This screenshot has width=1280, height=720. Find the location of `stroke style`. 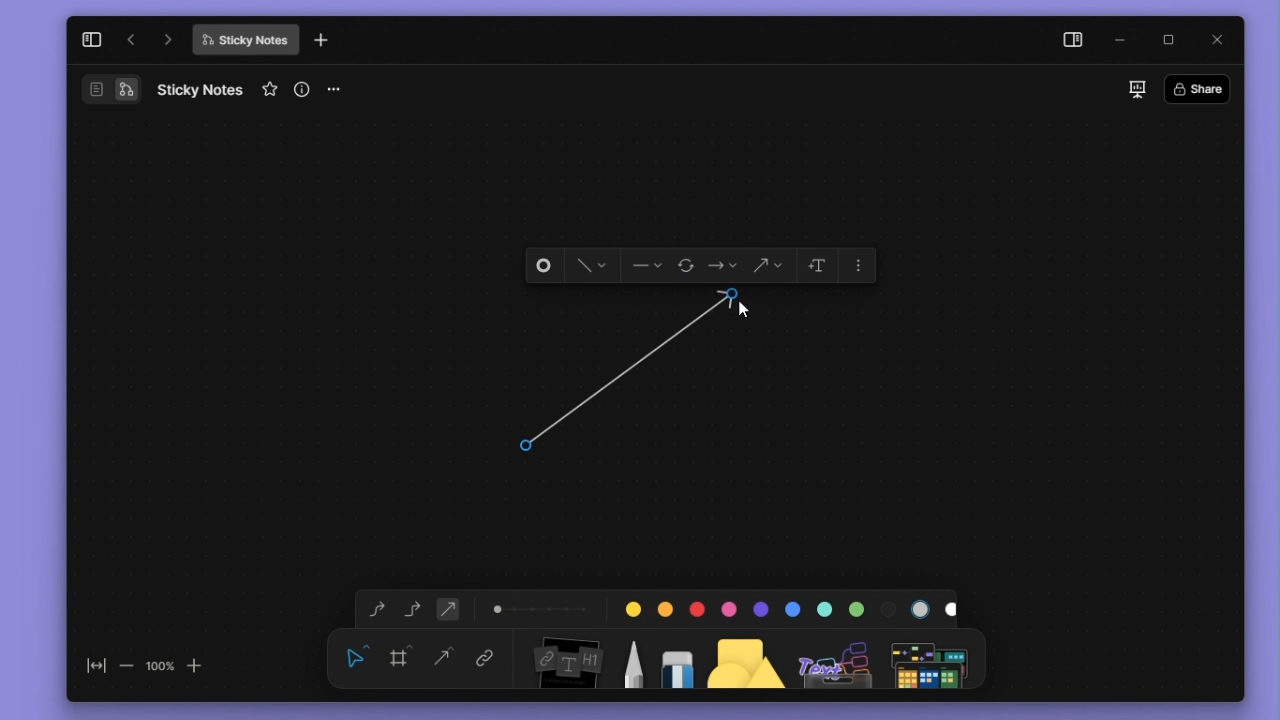

stroke style is located at coordinates (545, 266).